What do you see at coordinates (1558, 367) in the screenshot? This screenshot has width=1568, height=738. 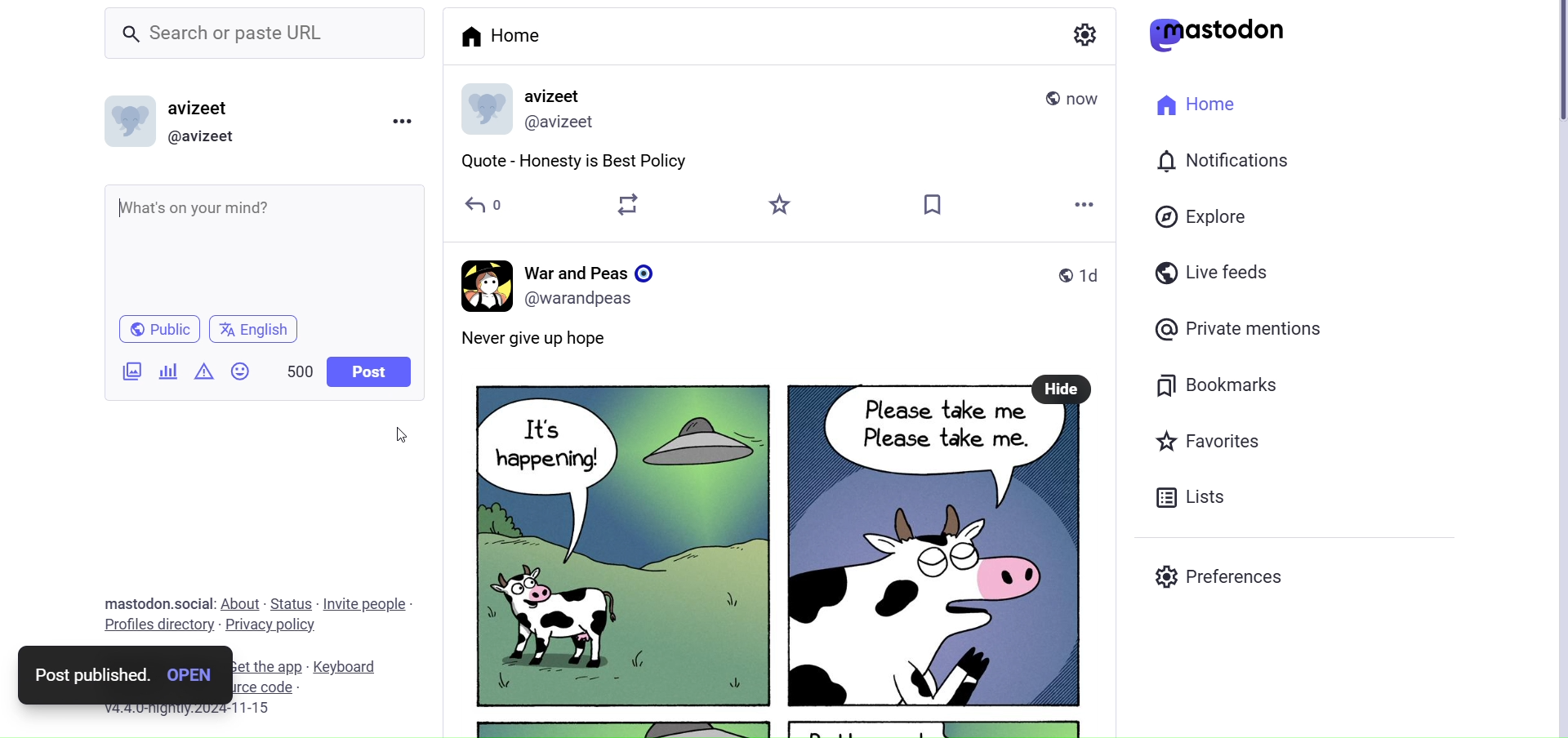 I see `Vertical Scroll Bar` at bounding box center [1558, 367].